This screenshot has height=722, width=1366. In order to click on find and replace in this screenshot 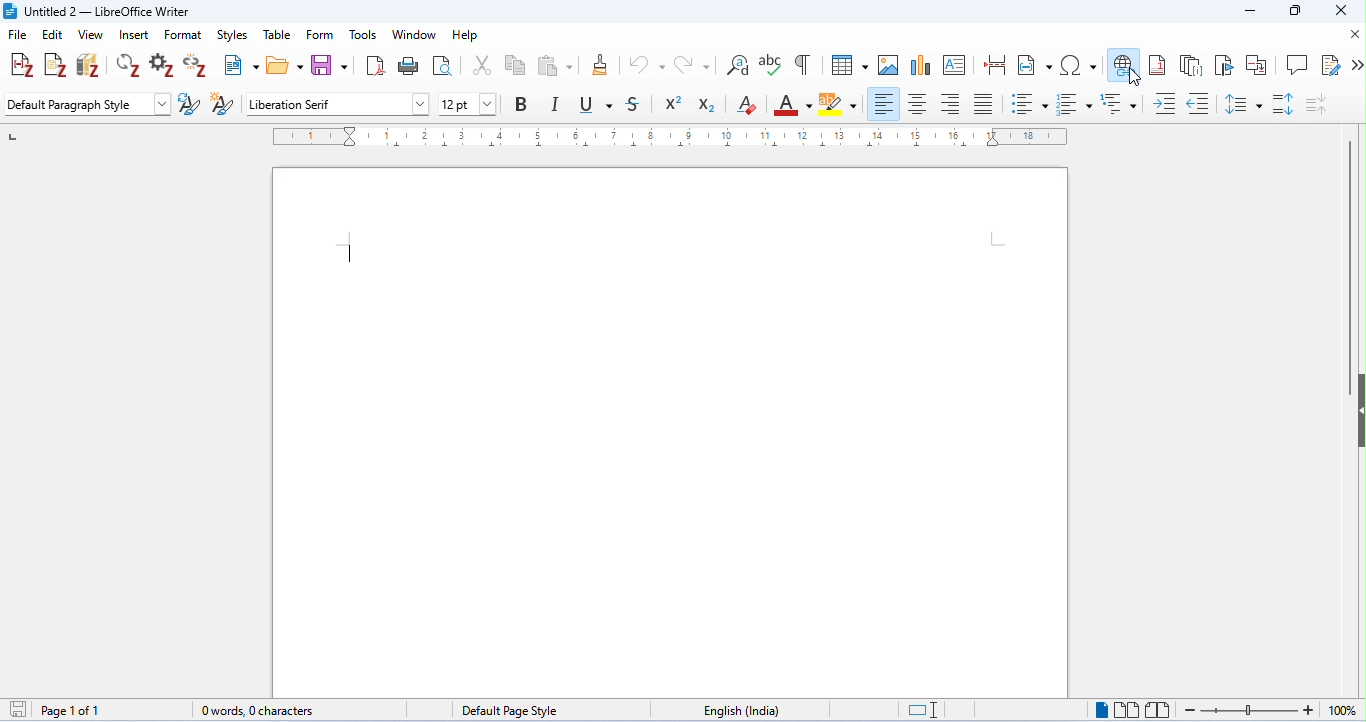, I will do `click(738, 65)`.